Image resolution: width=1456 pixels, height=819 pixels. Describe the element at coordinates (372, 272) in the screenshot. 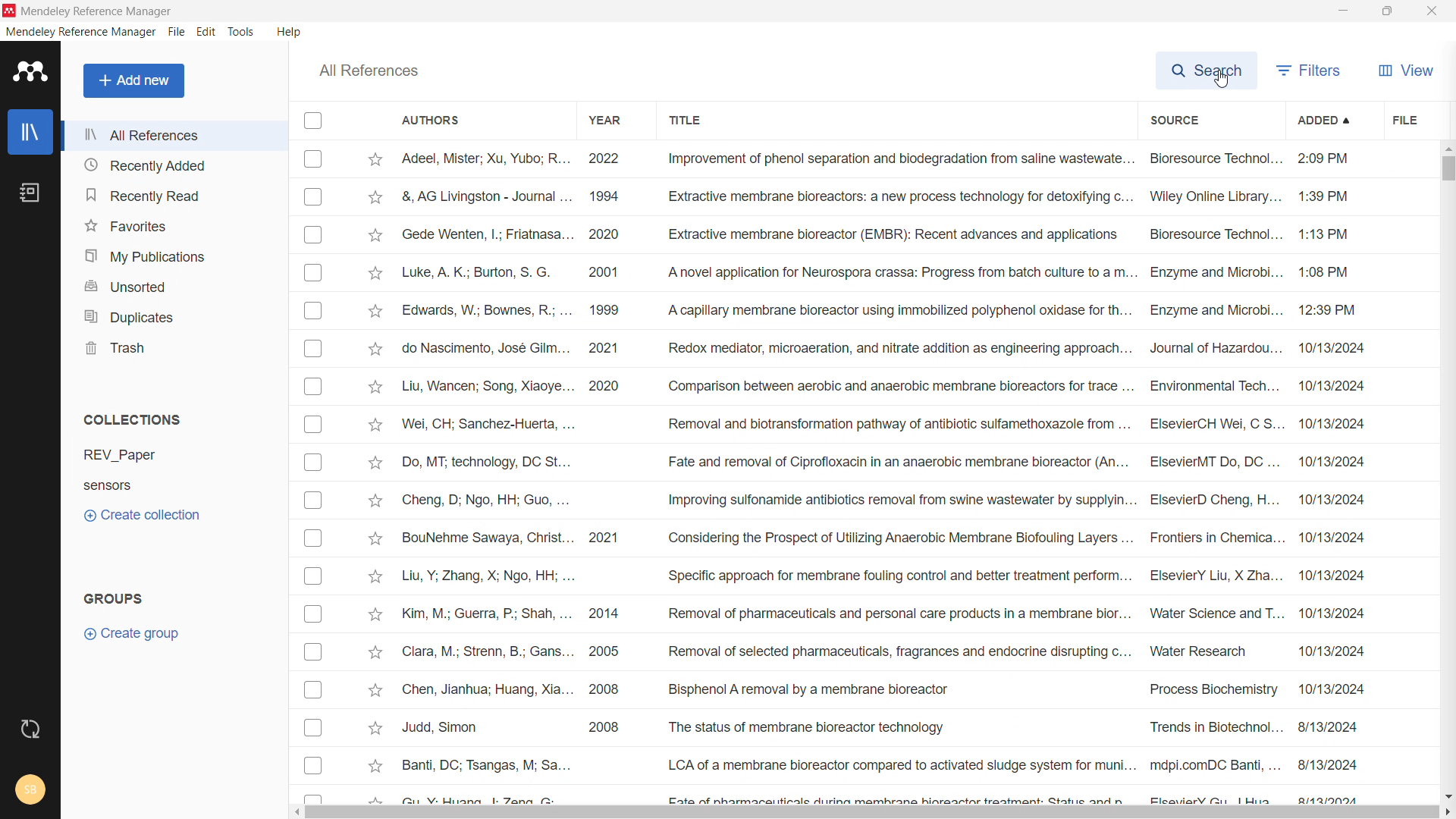

I see `Add to favorites` at that location.